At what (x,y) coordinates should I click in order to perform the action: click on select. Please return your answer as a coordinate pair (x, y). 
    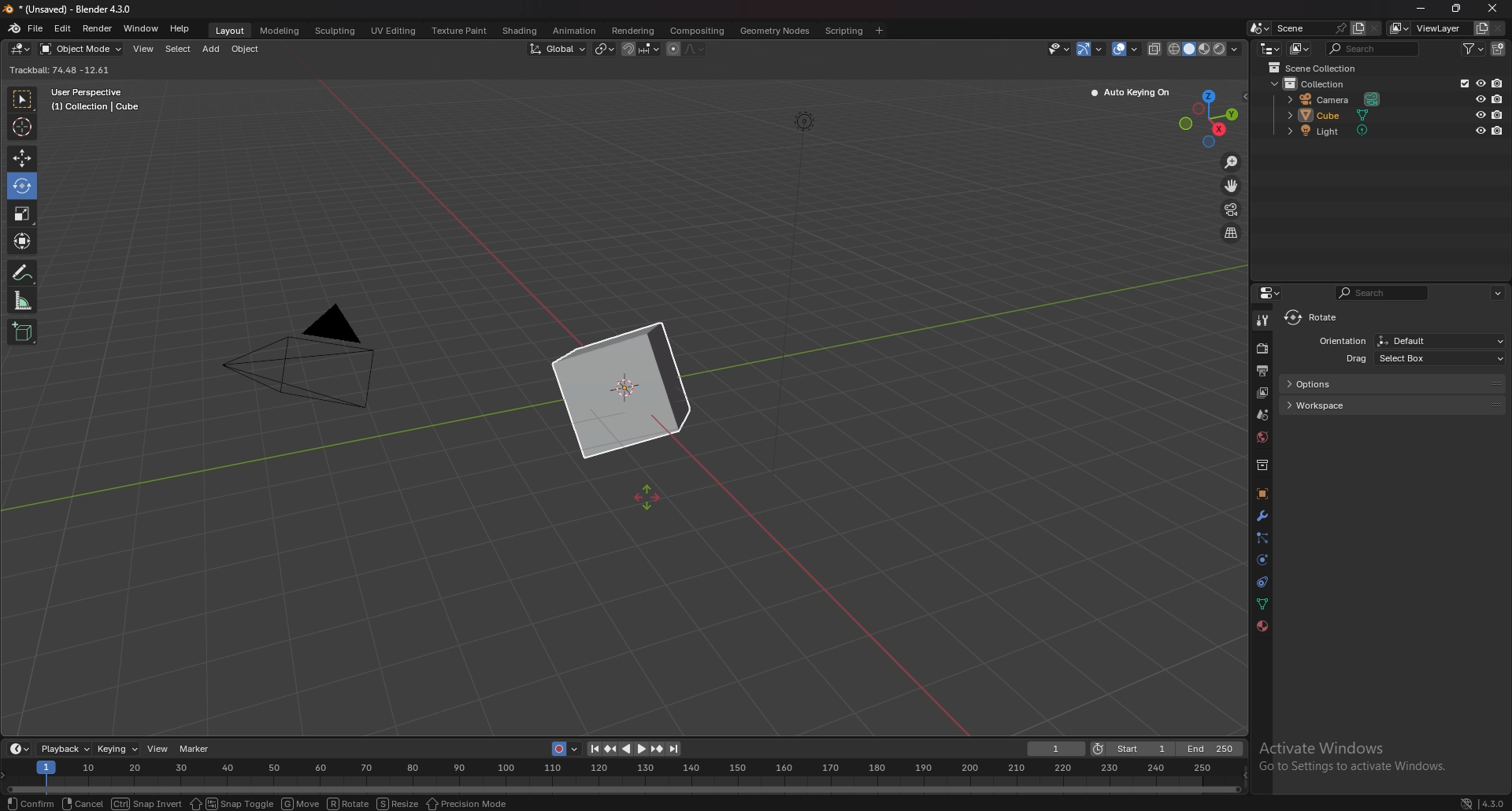
    Looking at the image, I should click on (179, 49).